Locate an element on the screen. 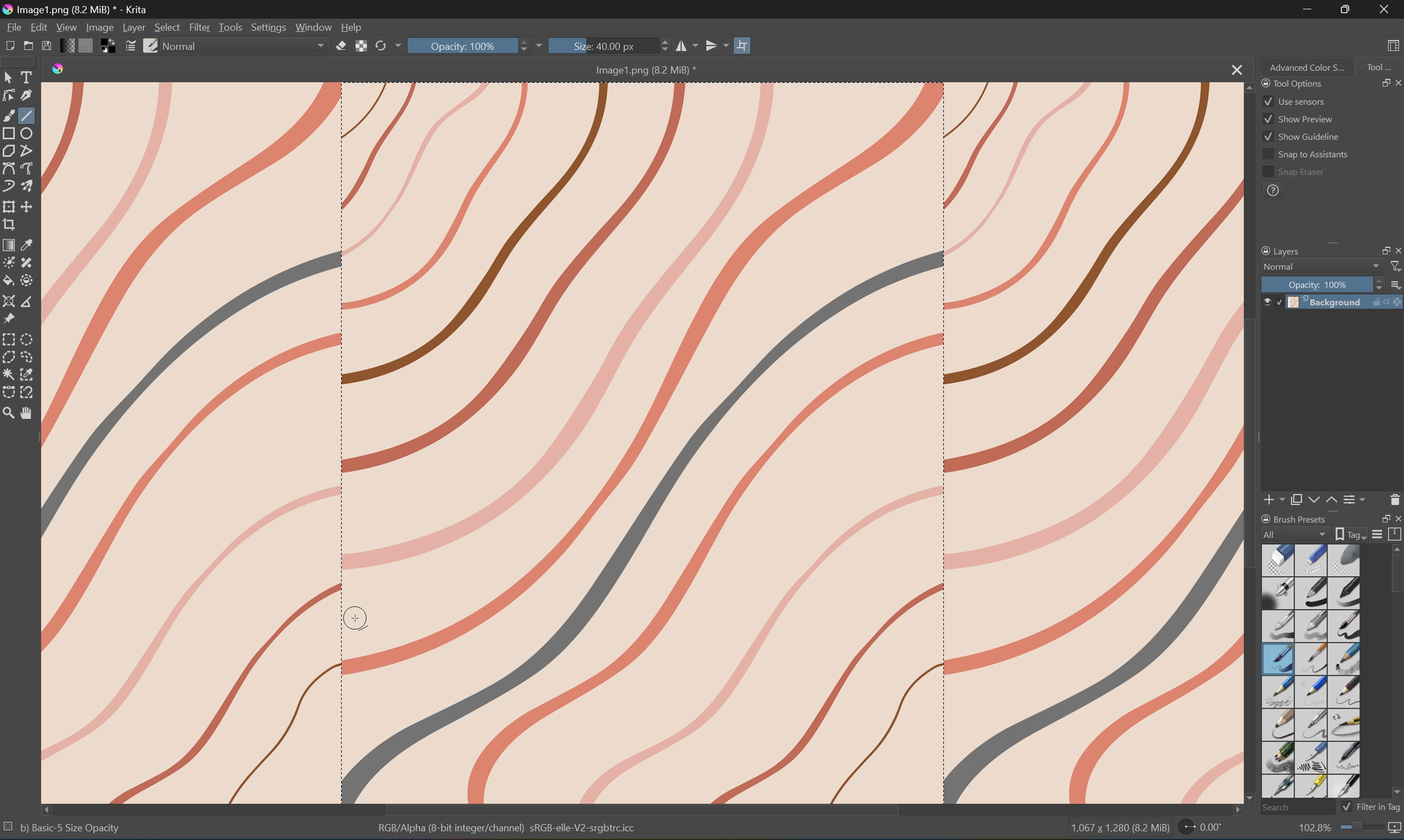 This screenshot has height=840, width=1404. bj Basic- 5 Size Opacity is located at coordinates (70, 828).